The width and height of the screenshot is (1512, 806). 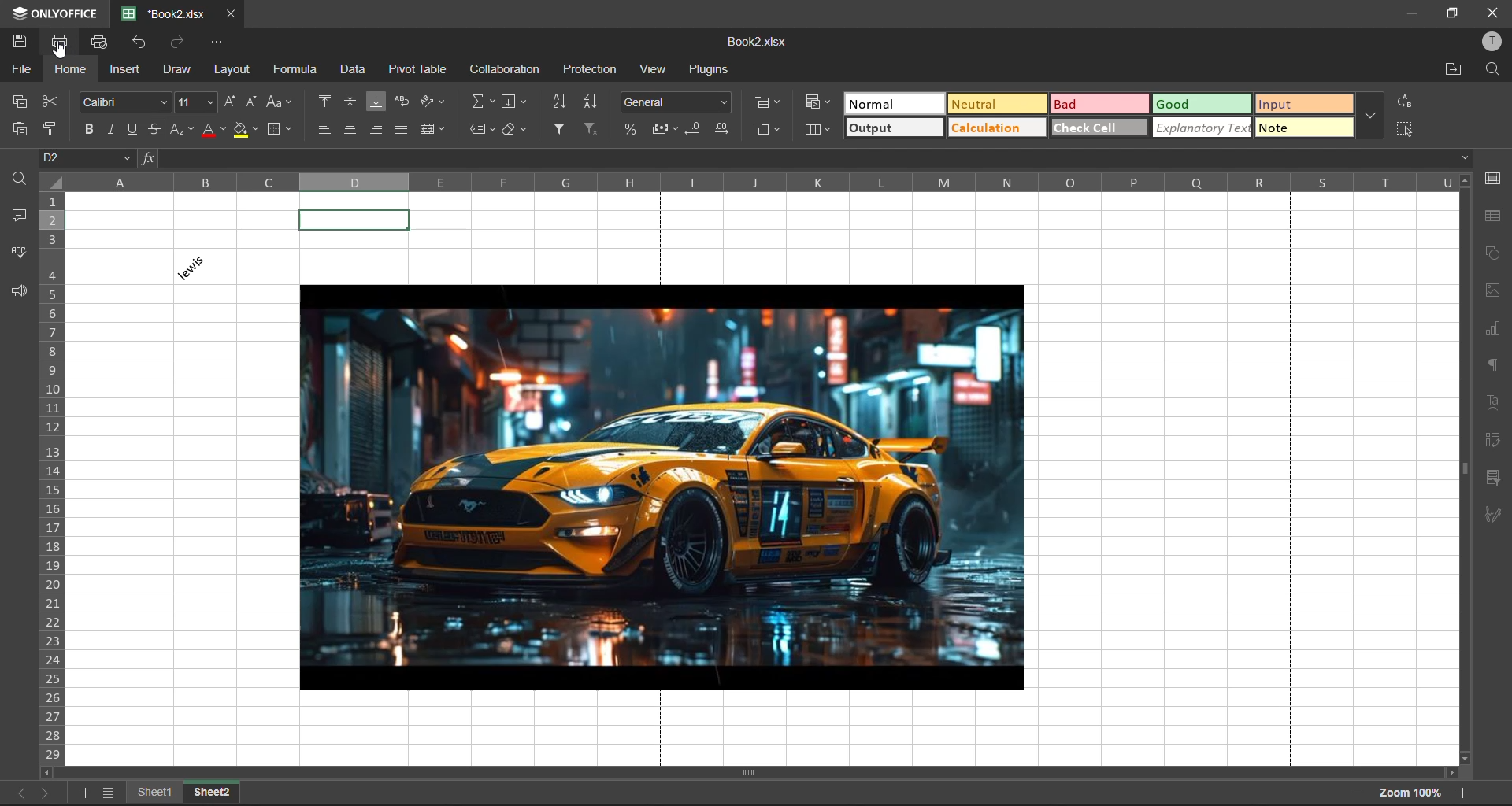 What do you see at coordinates (721, 128) in the screenshot?
I see `increase decimal` at bounding box center [721, 128].